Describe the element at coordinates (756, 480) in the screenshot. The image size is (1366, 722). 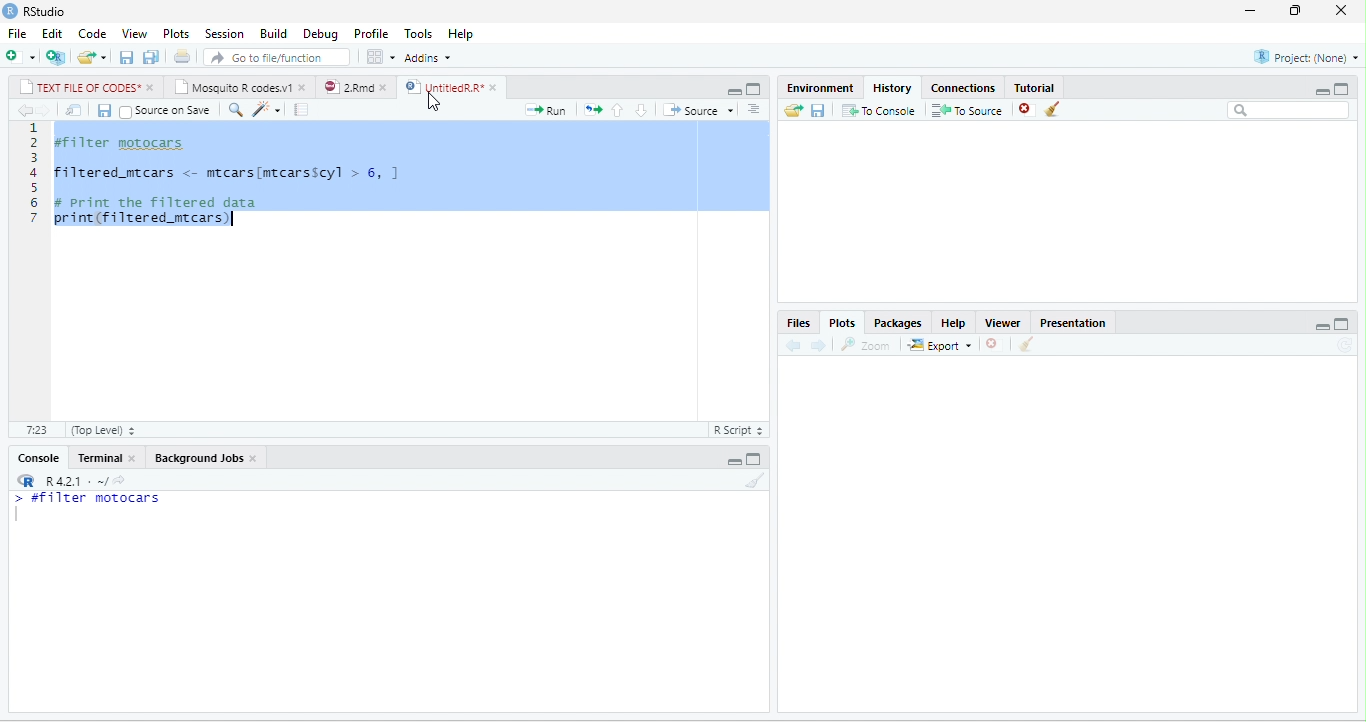
I see `clear` at that location.